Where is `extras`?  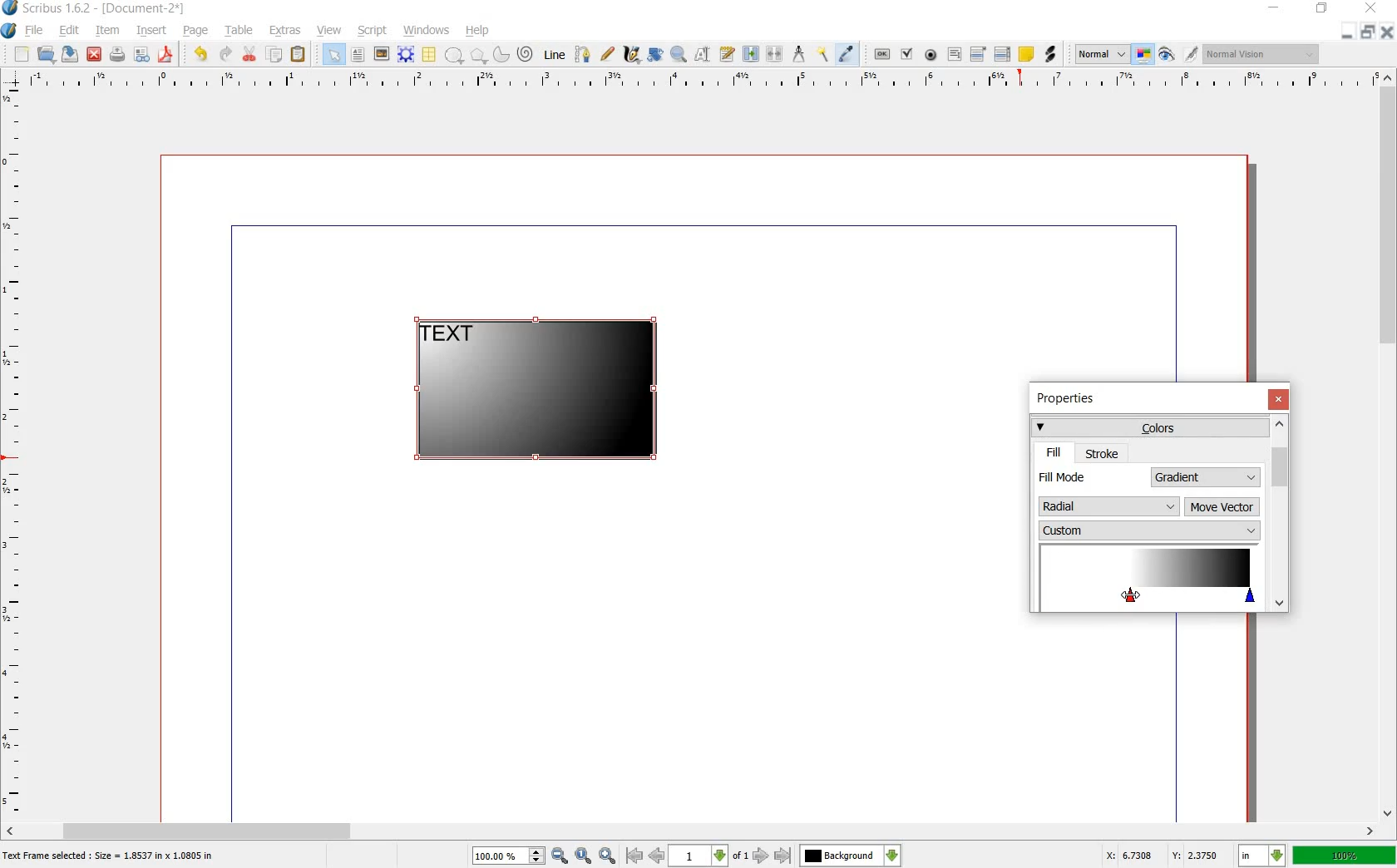
extras is located at coordinates (285, 31).